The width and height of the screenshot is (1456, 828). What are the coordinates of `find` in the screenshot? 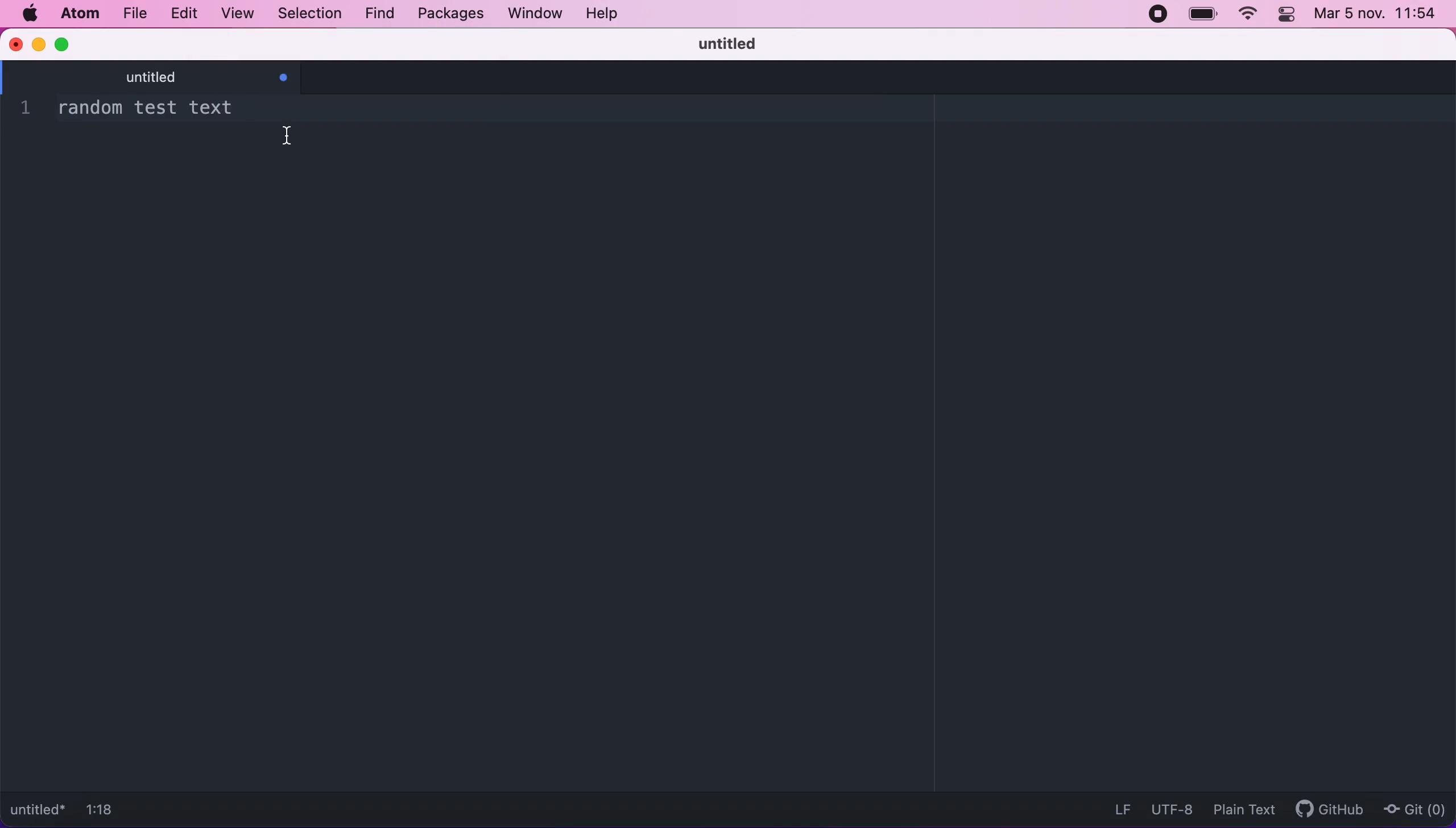 It's located at (376, 14).